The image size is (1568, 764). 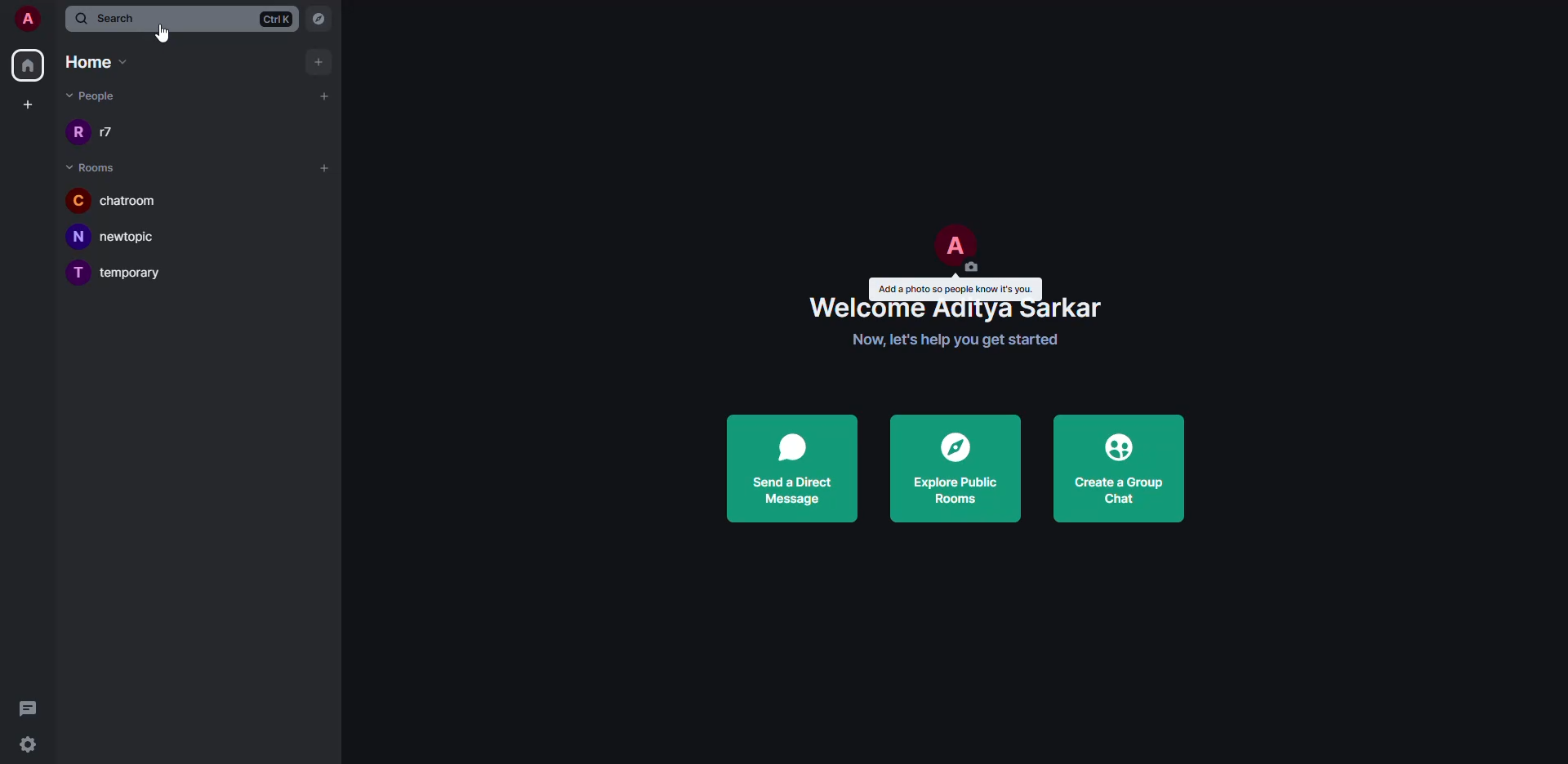 What do you see at coordinates (958, 340) in the screenshot?
I see `info` at bounding box center [958, 340].